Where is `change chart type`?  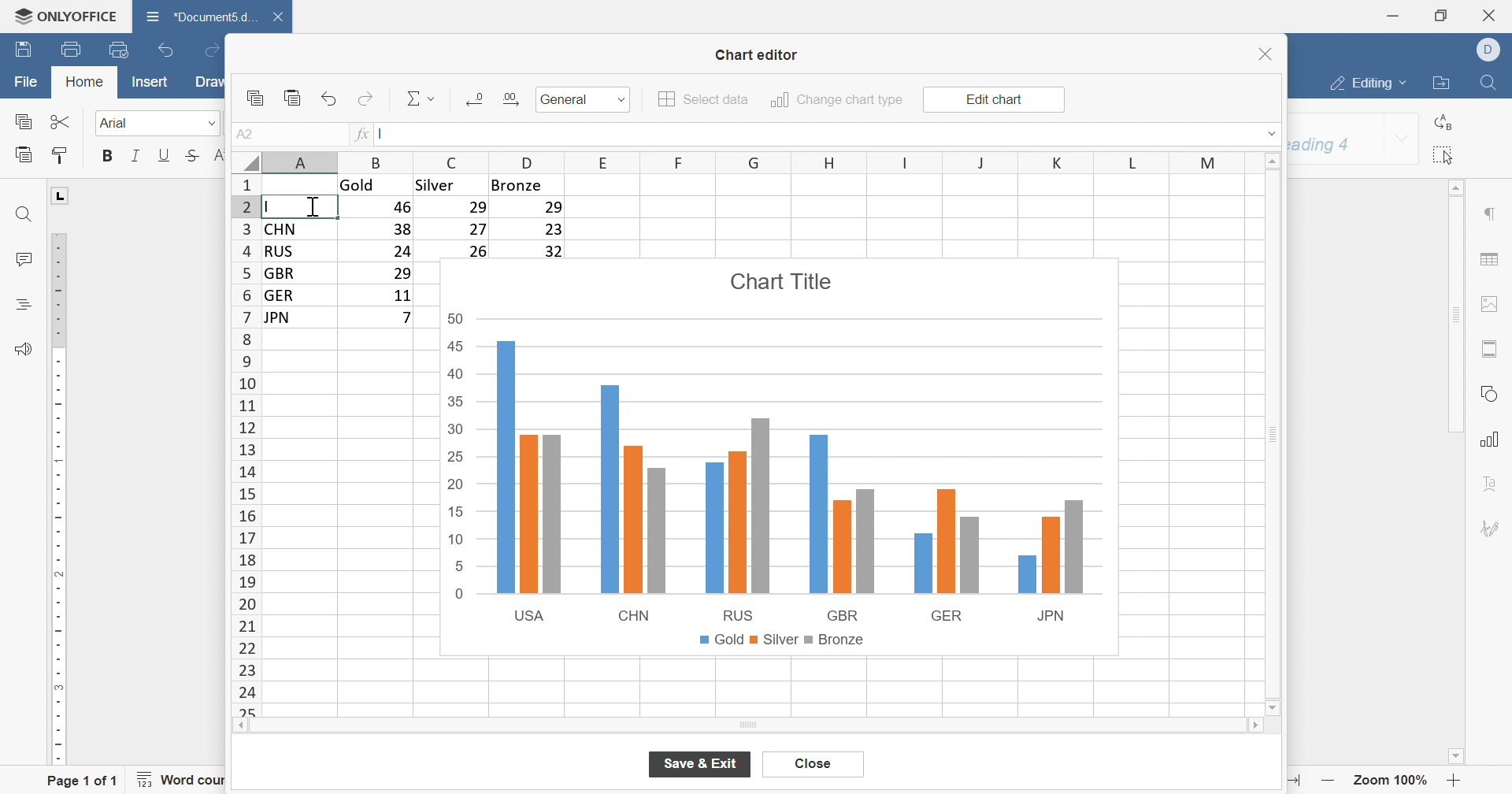 change chart type is located at coordinates (836, 100).